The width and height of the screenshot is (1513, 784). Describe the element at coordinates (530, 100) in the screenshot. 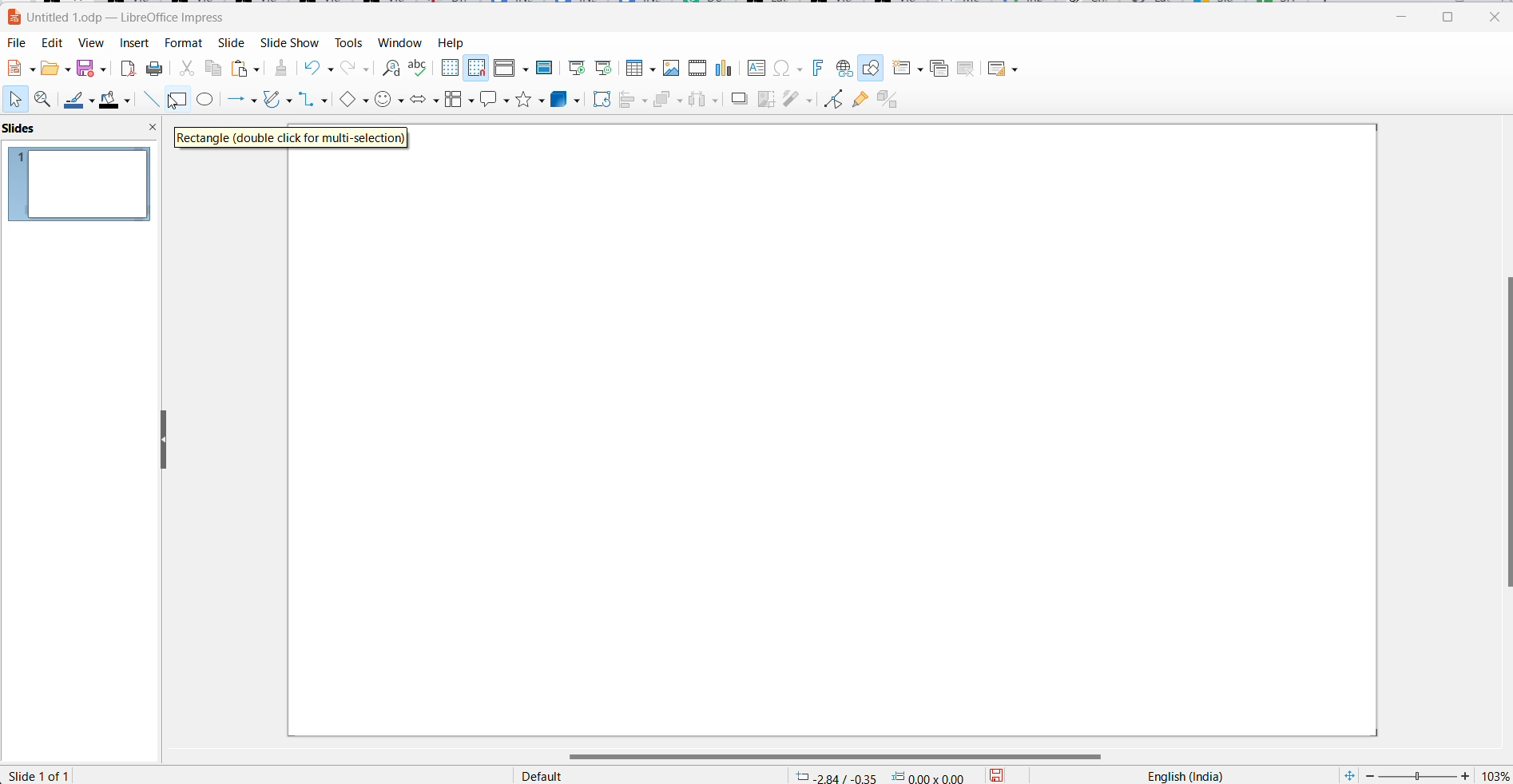

I see `star shapes` at that location.